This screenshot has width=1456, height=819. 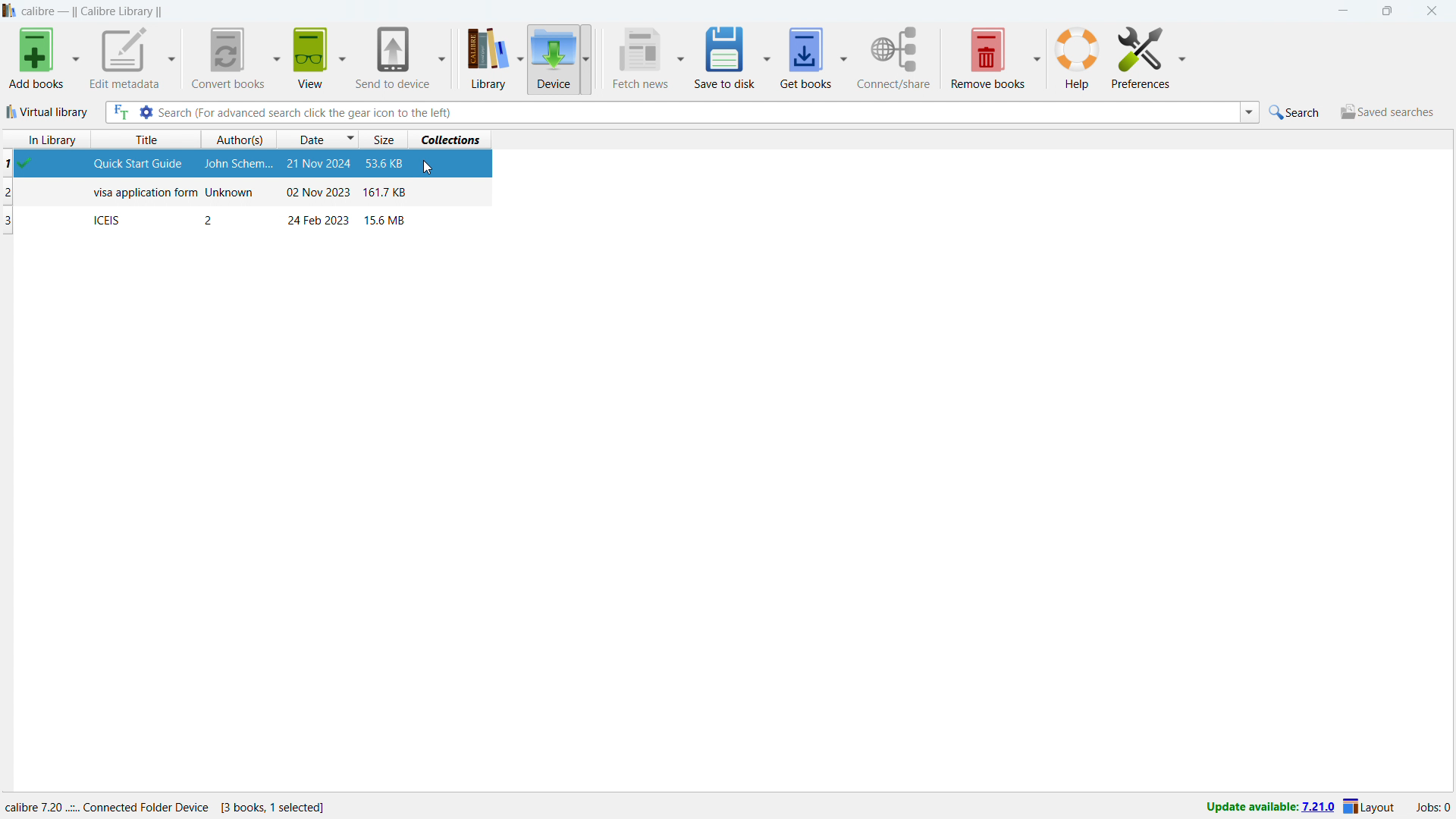 What do you see at coordinates (1342, 11) in the screenshot?
I see `minimize` at bounding box center [1342, 11].